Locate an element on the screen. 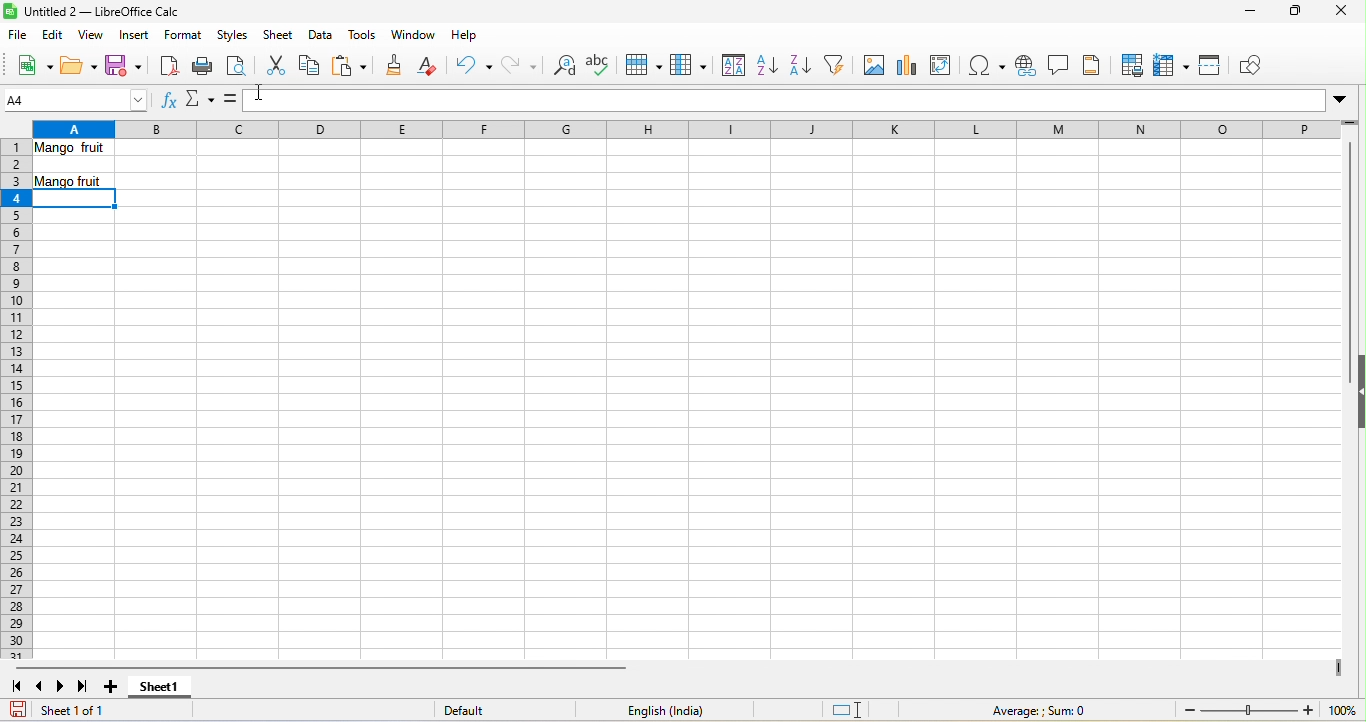 Image resolution: width=1366 pixels, height=722 pixels. text language is located at coordinates (666, 709).